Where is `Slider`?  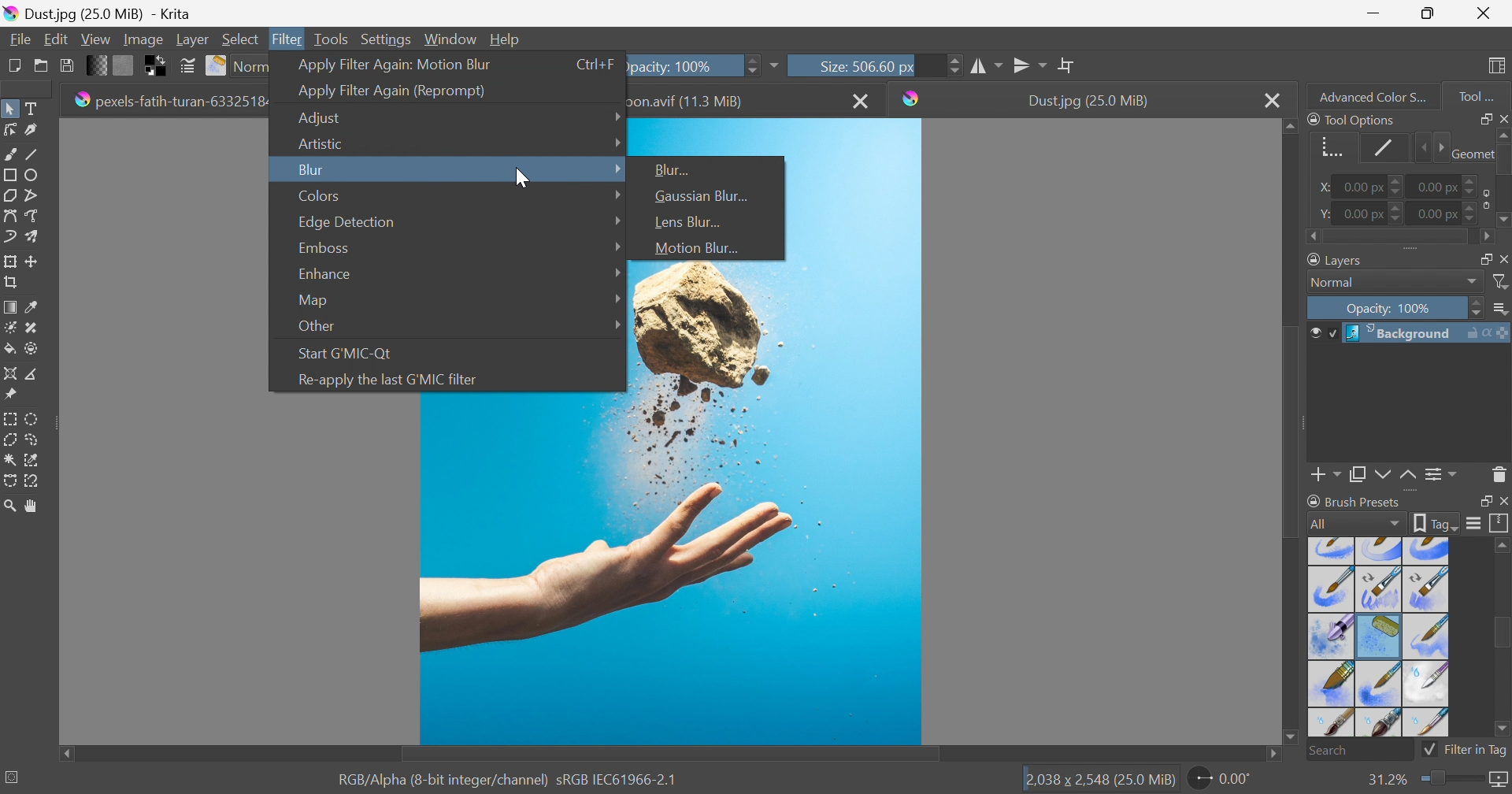
Slider is located at coordinates (954, 65).